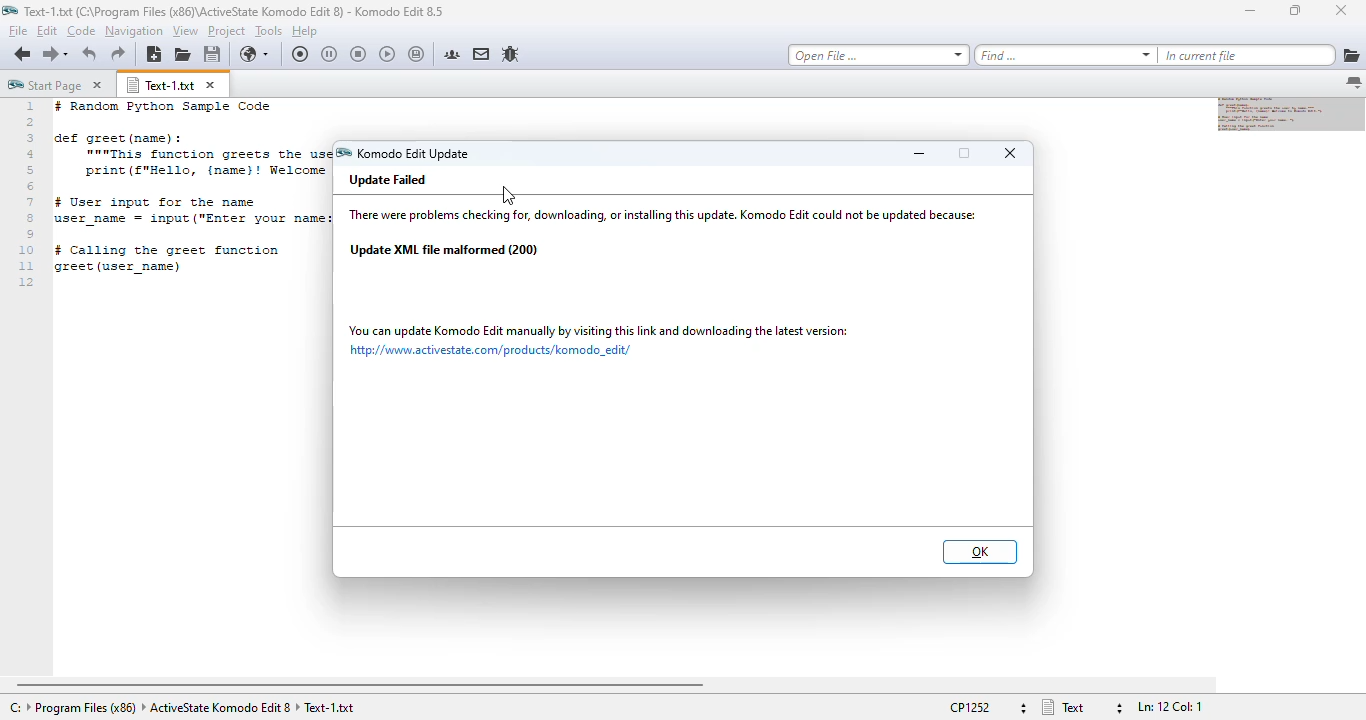 The width and height of the screenshot is (1366, 720). What do you see at coordinates (1341, 10) in the screenshot?
I see `close` at bounding box center [1341, 10].